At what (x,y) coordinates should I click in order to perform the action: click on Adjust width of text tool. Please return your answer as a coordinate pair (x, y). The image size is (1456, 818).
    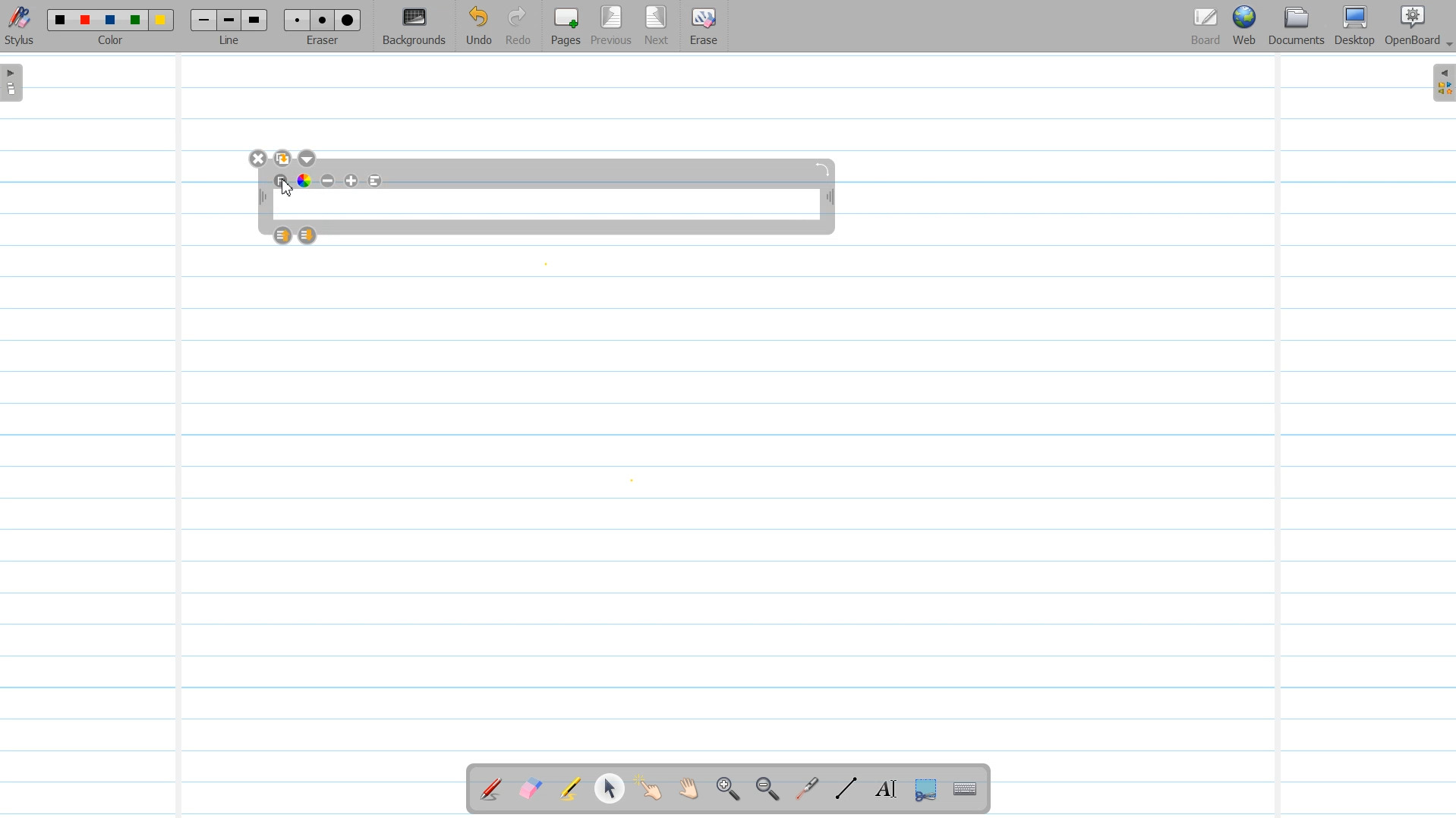
    Looking at the image, I should click on (830, 199).